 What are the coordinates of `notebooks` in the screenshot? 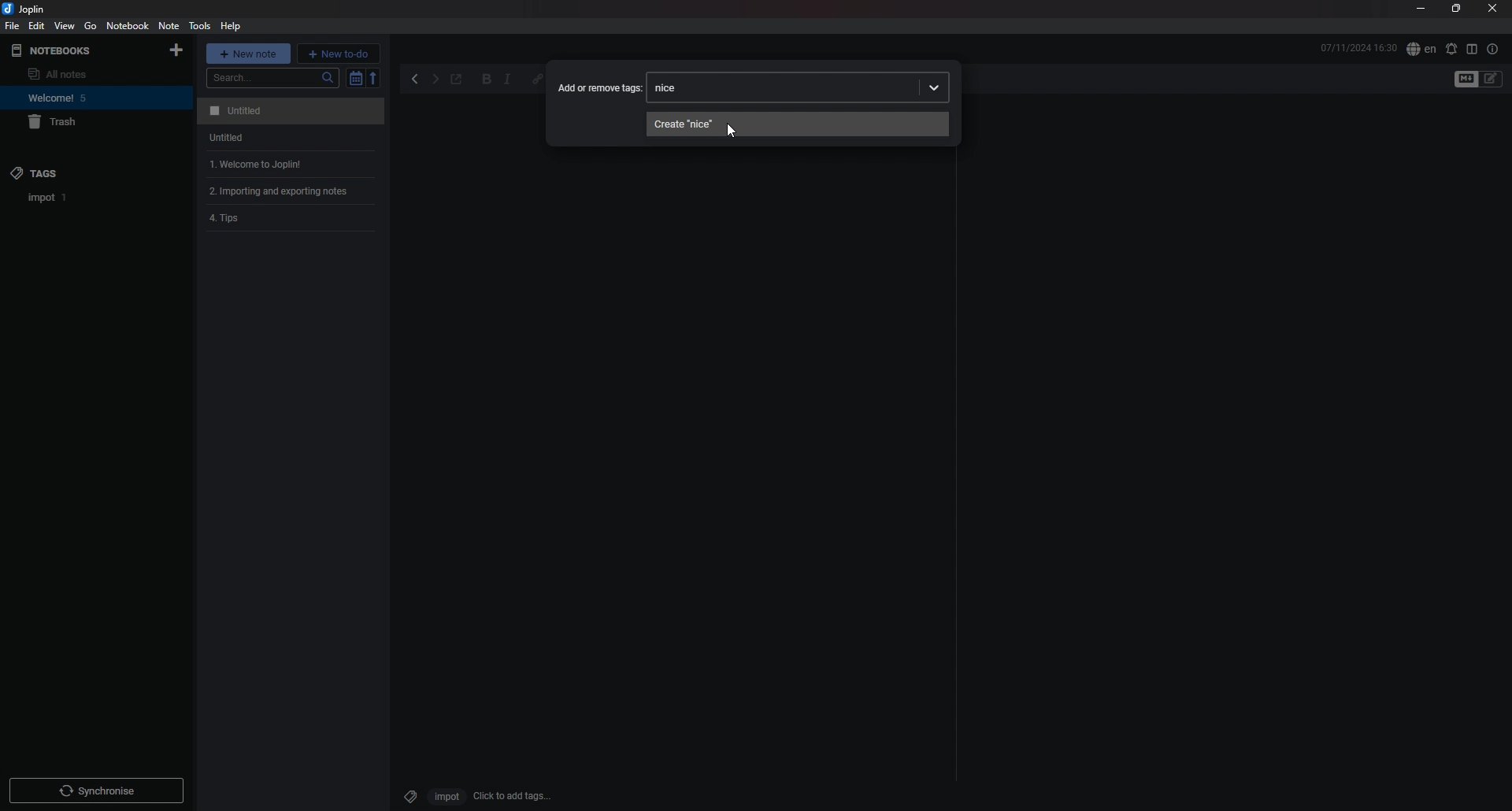 It's located at (74, 51).